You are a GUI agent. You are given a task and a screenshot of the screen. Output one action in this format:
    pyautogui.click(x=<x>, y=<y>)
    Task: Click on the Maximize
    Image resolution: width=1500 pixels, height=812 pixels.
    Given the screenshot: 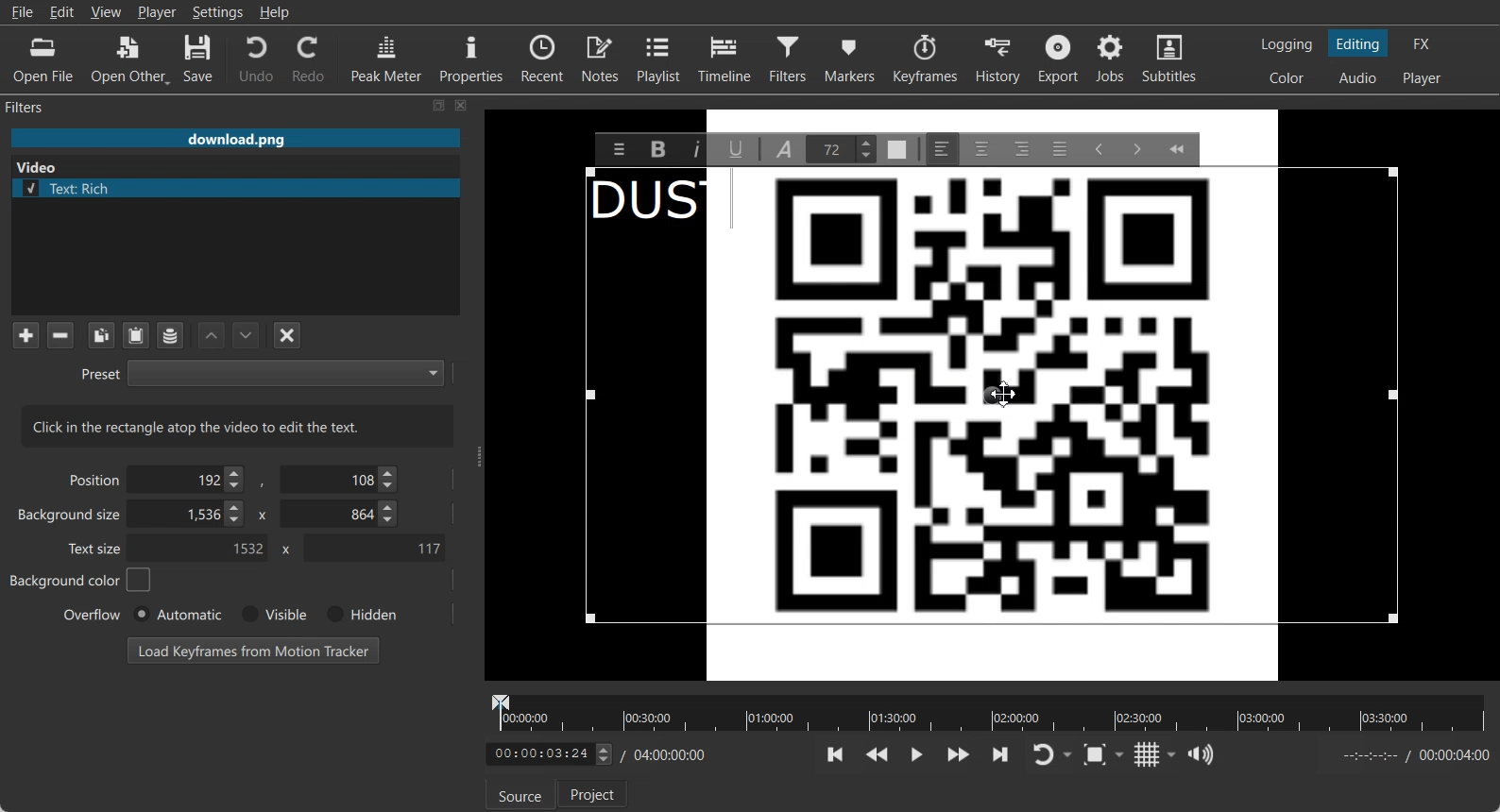 What is the action you would take?
    pyautogui.click(x=439, y=105)
    